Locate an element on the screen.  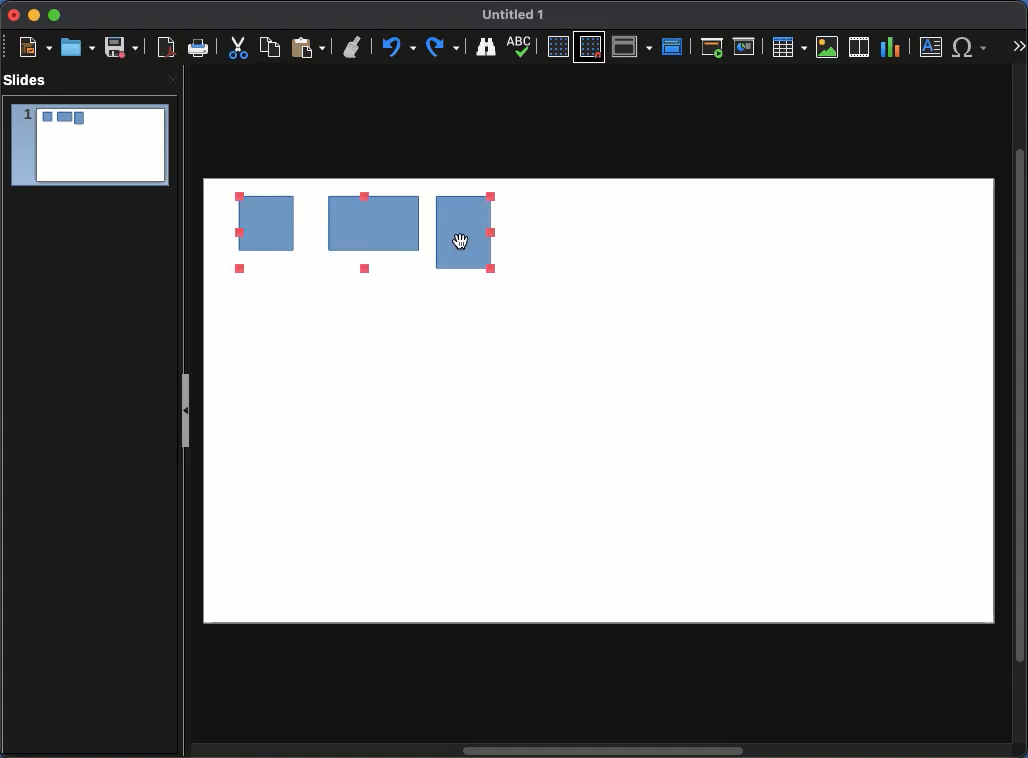
Items selected is located at coordinates (303, 233).